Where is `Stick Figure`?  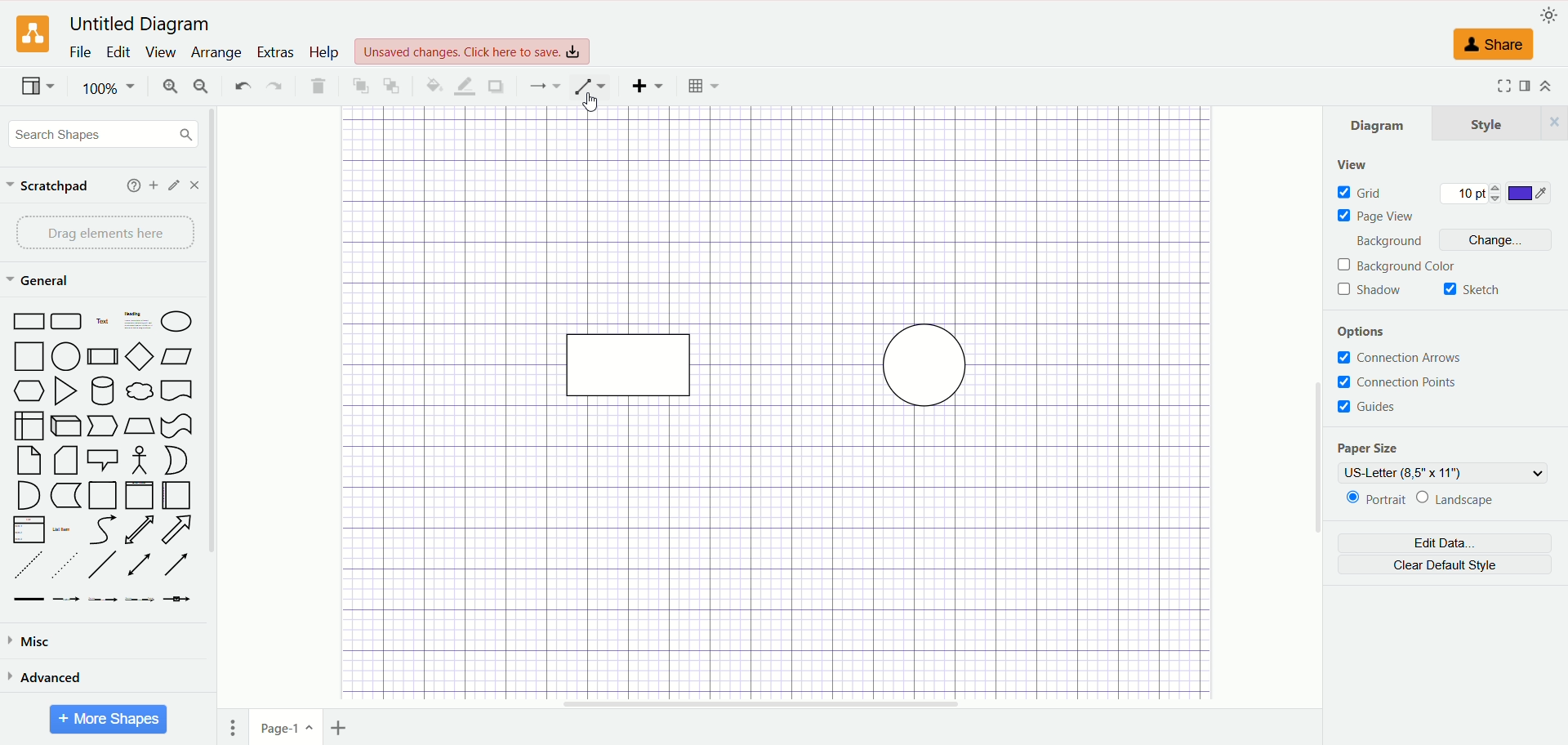 Stick Figure is located at coordinates (142, 460).